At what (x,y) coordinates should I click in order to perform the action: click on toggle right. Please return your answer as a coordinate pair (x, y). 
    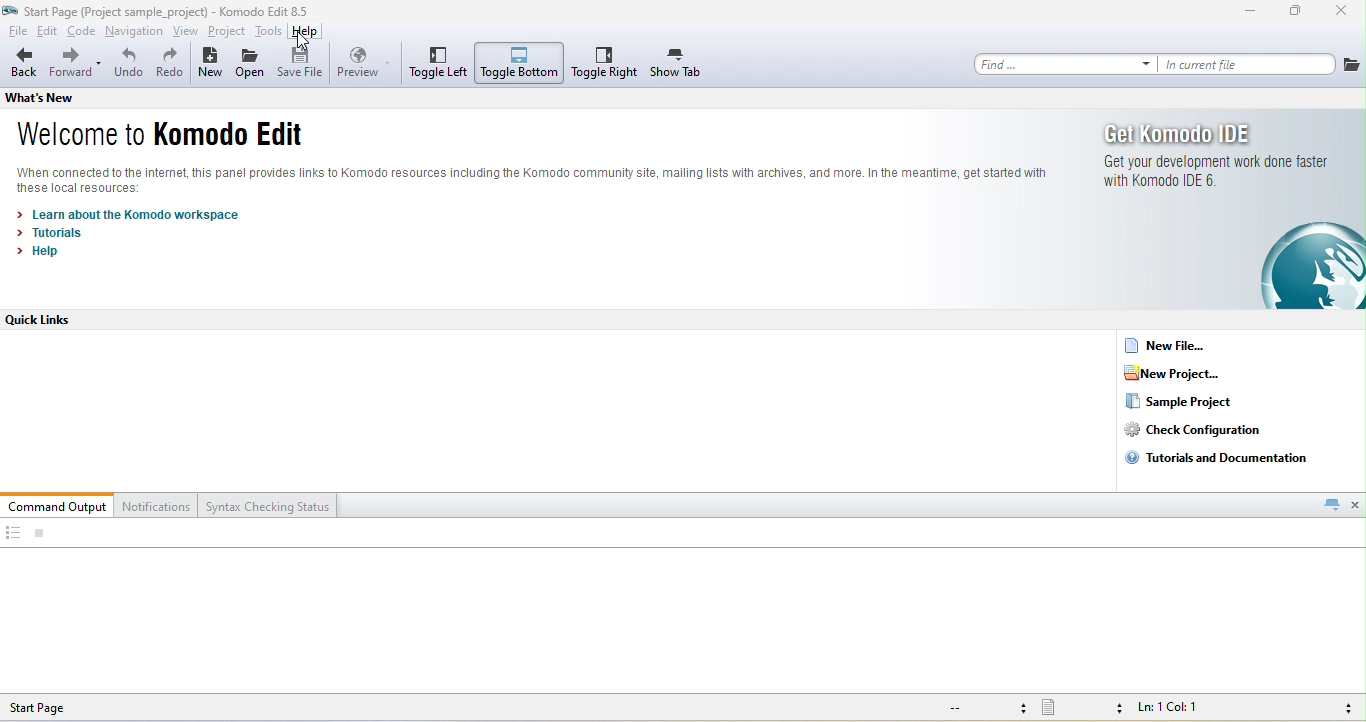
    Looking at the image, I should click on (605, 63).